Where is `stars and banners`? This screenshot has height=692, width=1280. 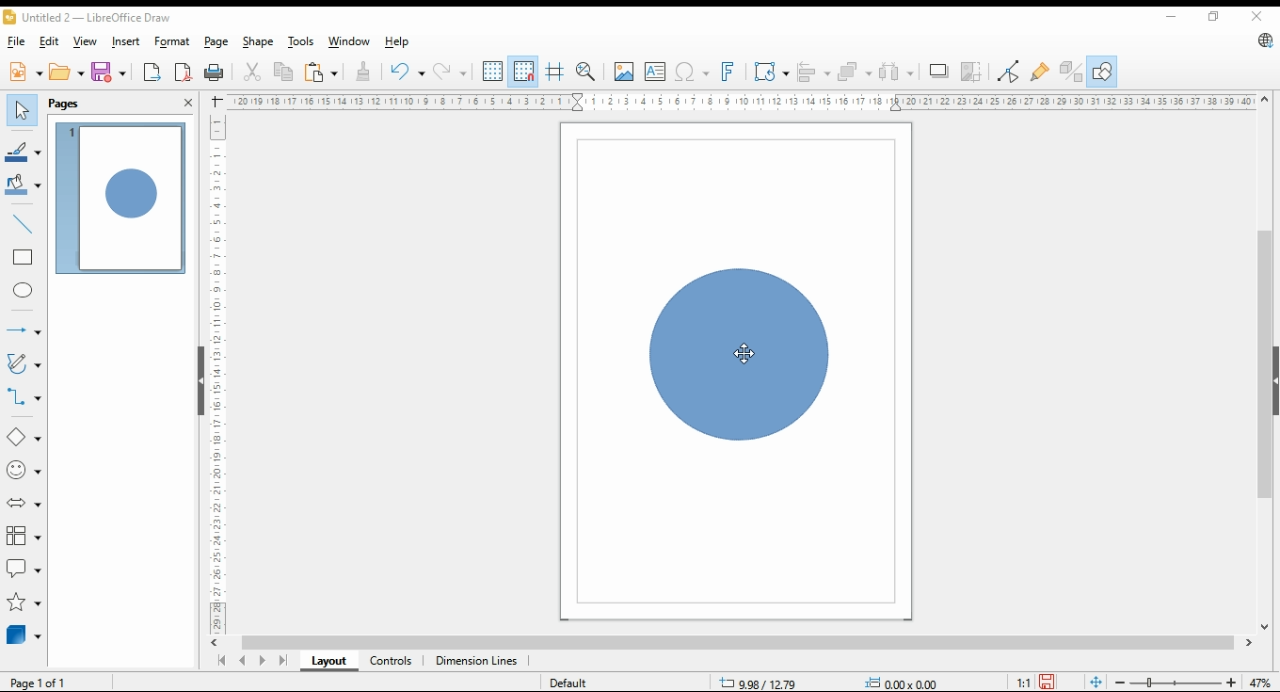 stars and banners is located at coordinates (23, 601).